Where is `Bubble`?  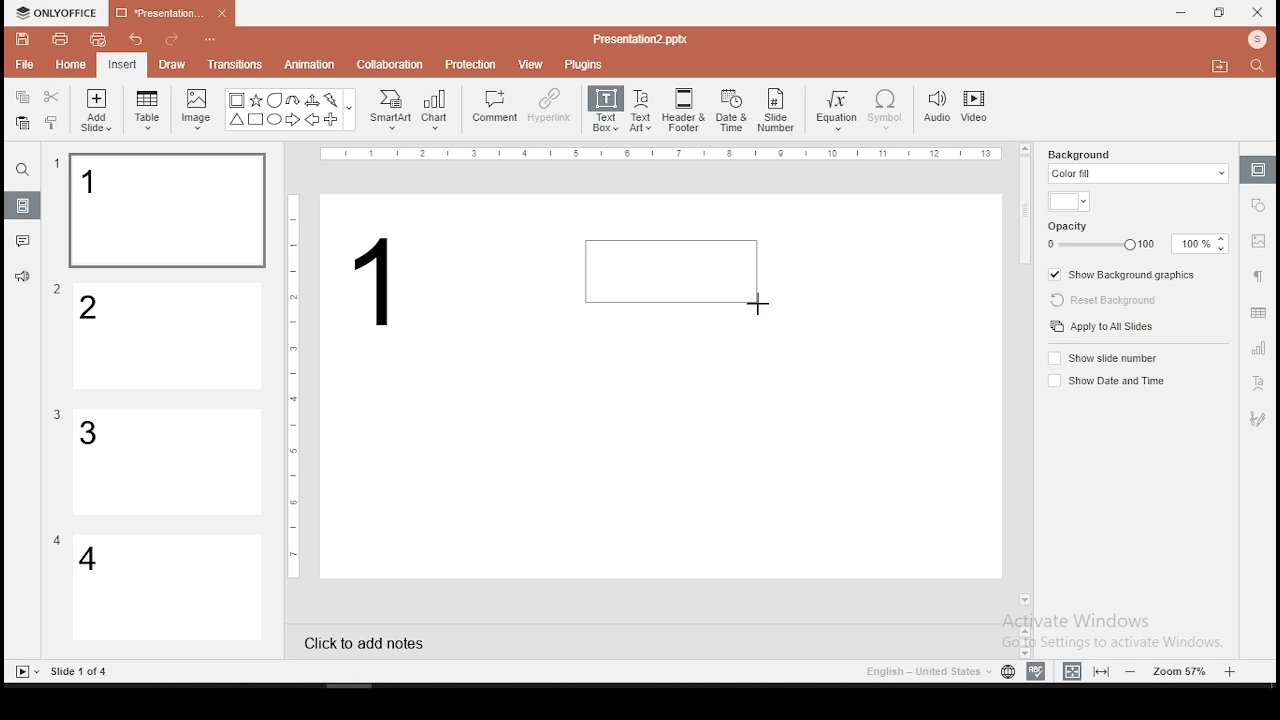
Bubble is located at coordinates (274, 100).